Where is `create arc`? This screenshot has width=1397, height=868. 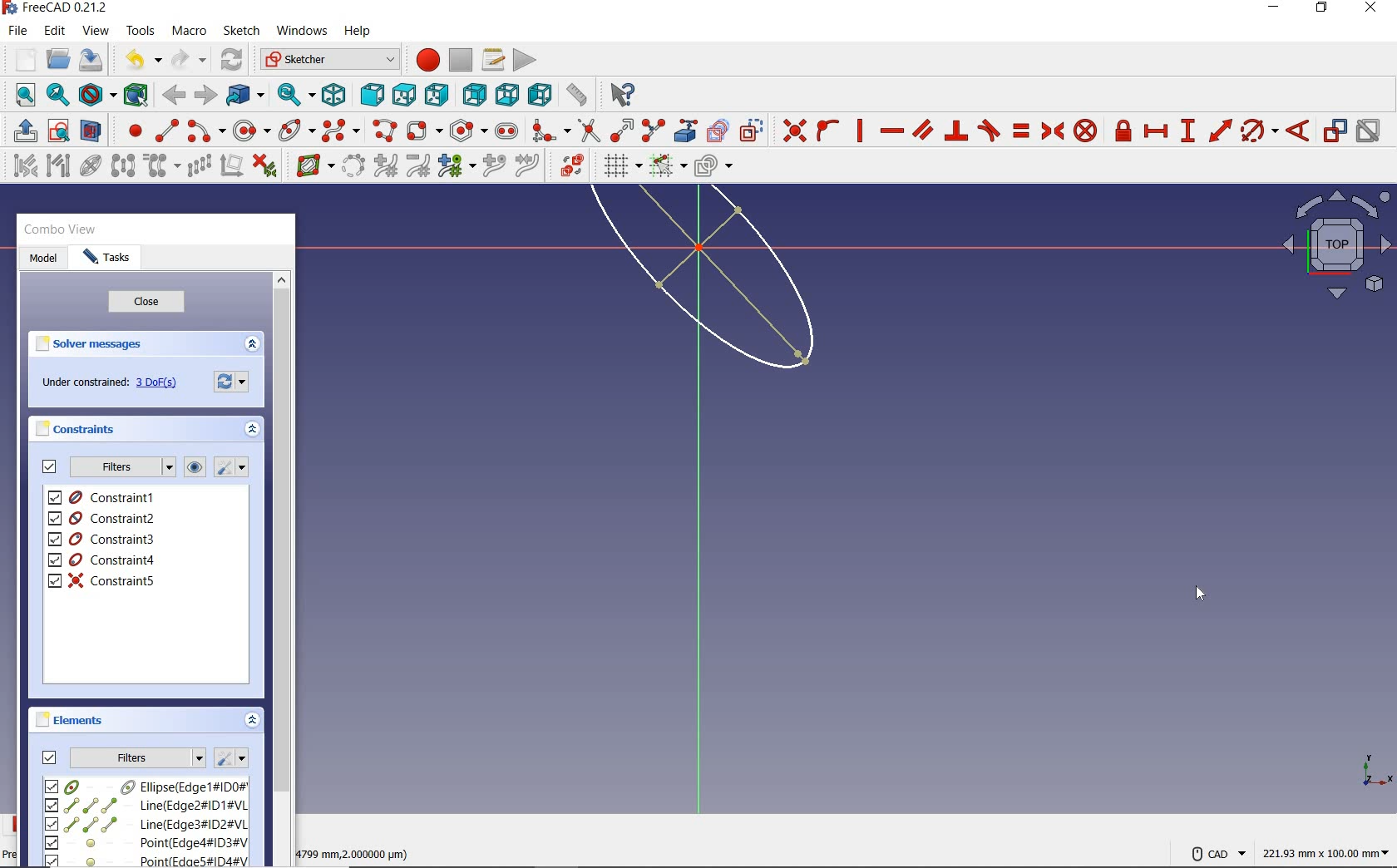
create arc is located at coordinates (206, 129).